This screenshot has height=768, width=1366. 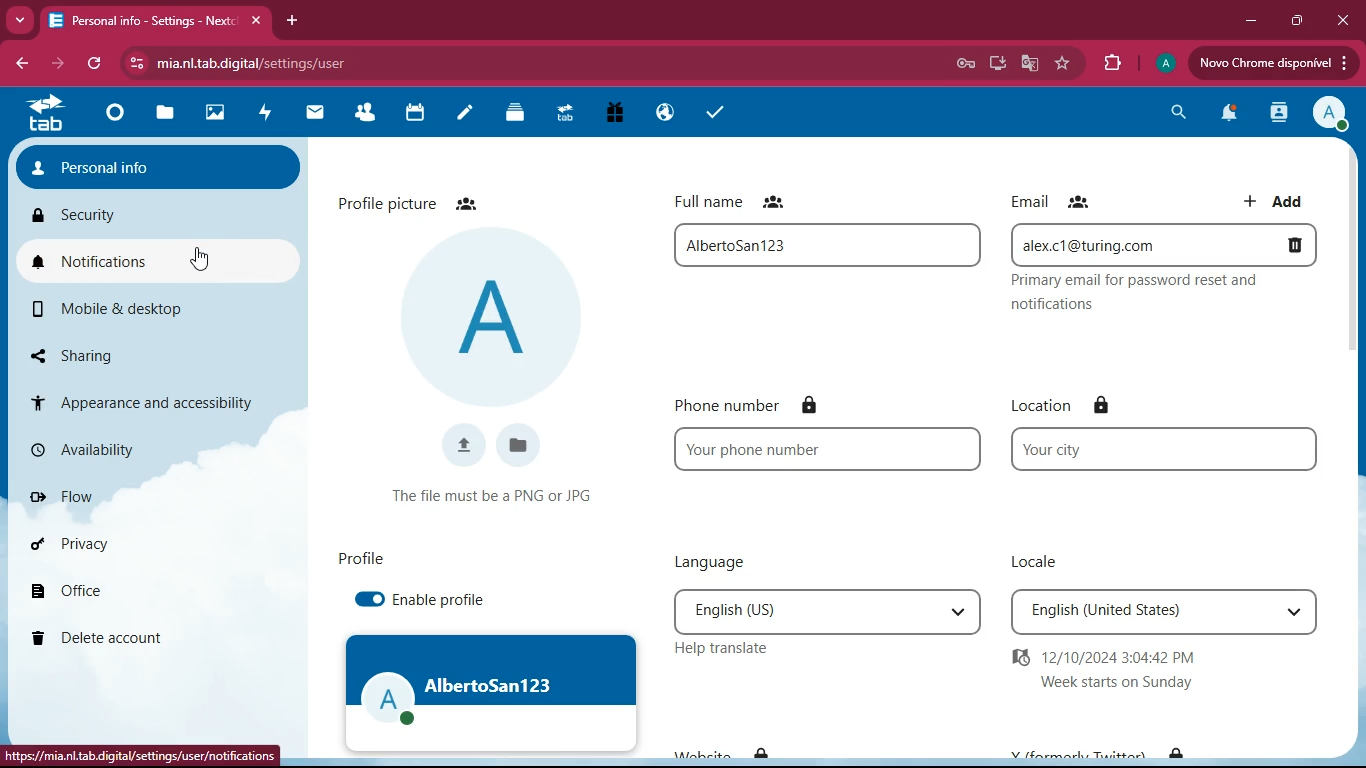 I want to click on notes, so click(x=468, y=116).